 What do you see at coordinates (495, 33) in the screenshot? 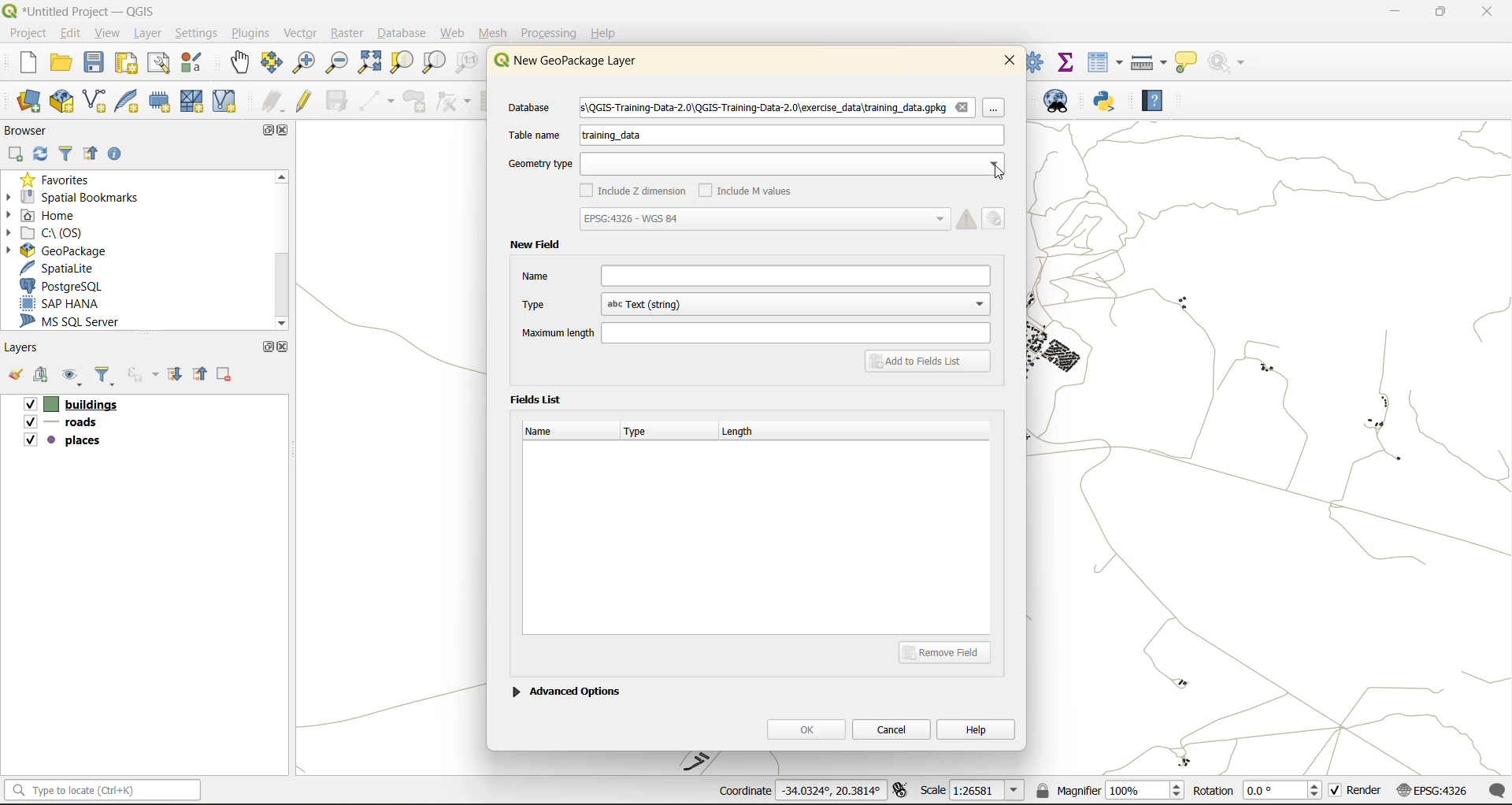
I see `mesh` at bounding box center [495, 33].